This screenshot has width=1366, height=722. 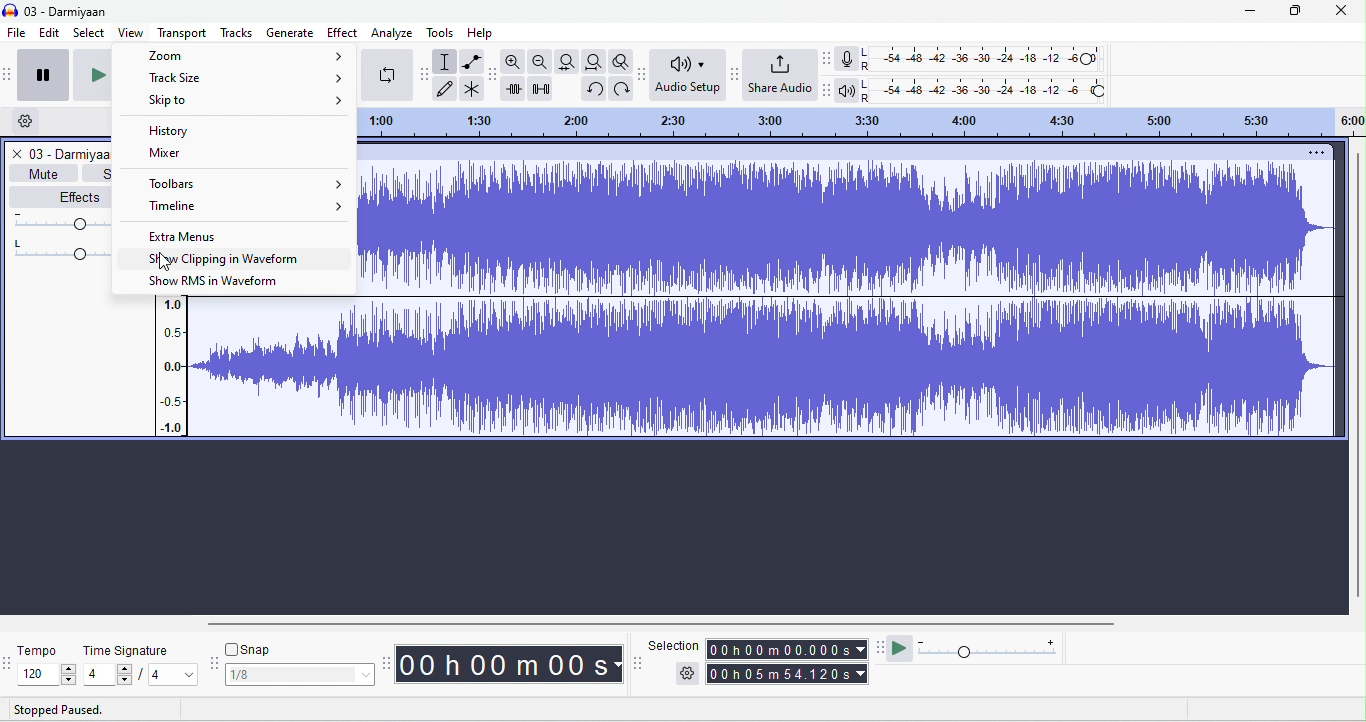 I want to click on toggle zoom, so click(x=620, y=61).